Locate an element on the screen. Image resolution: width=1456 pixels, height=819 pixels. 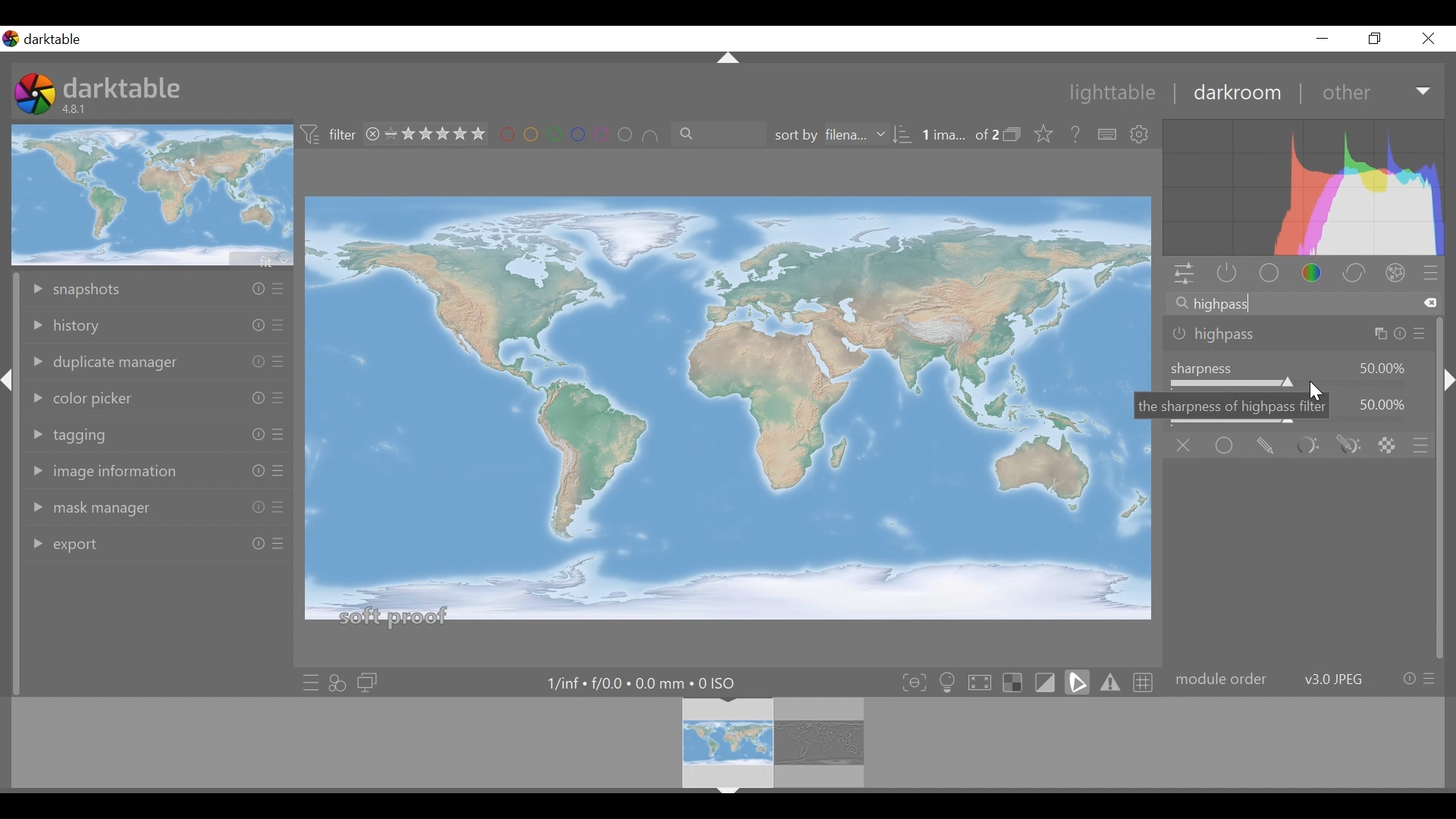
50.00% is located at coordinates (1381, 408).